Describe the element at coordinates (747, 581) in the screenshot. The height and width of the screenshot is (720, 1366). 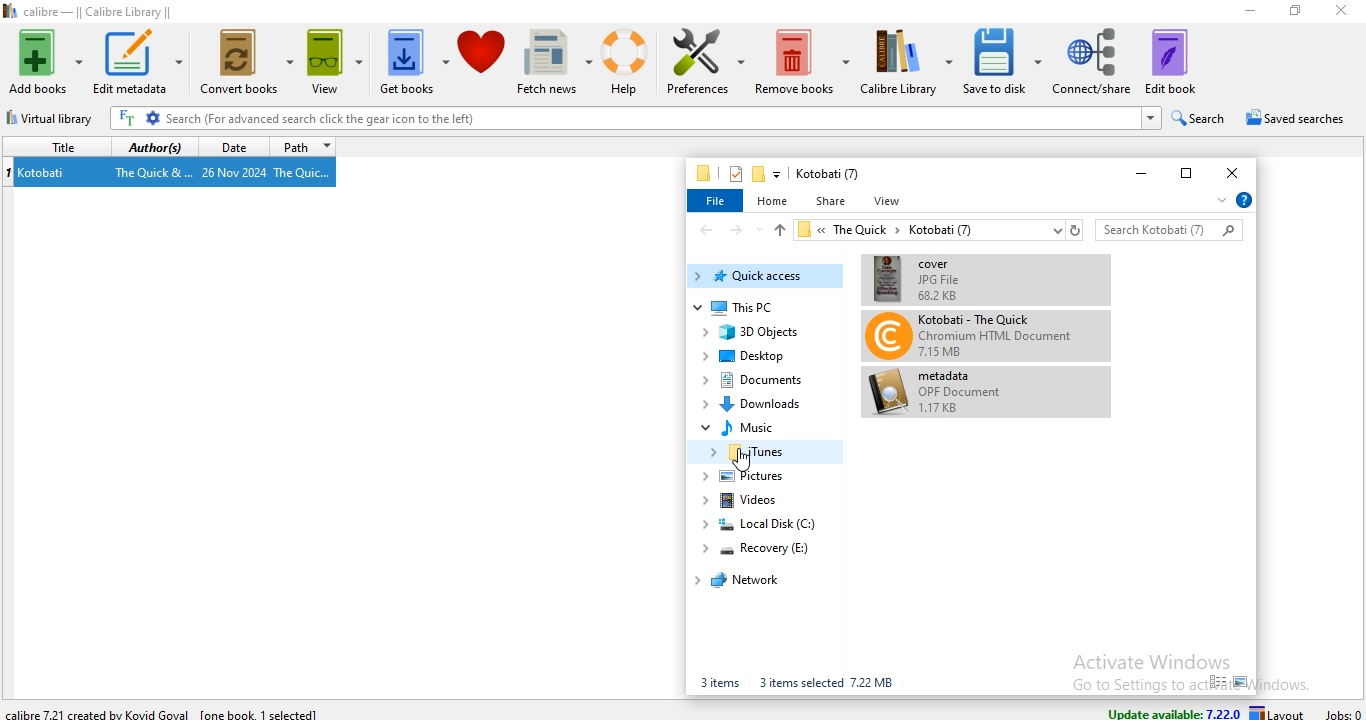
I see `network` at that location.